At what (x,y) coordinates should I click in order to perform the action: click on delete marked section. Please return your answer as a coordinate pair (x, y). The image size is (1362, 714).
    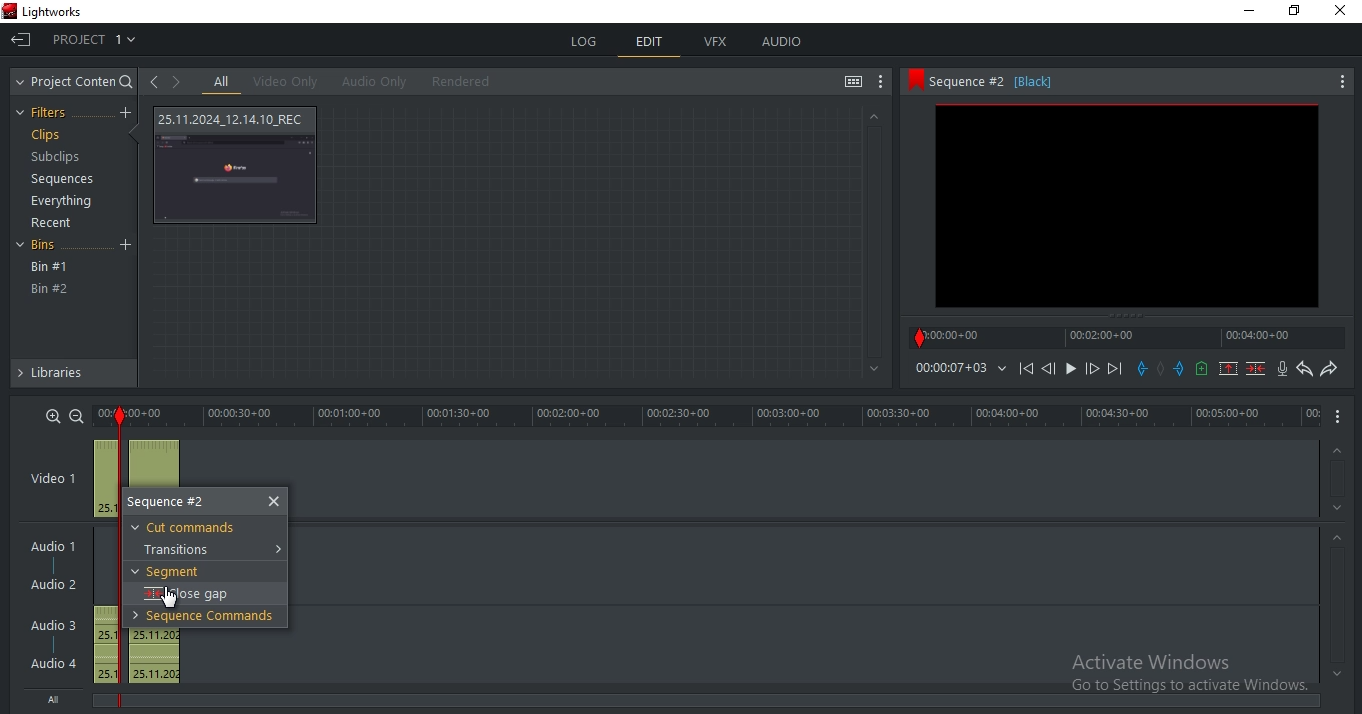
    Looking at the image, I should click on (1256, 369).